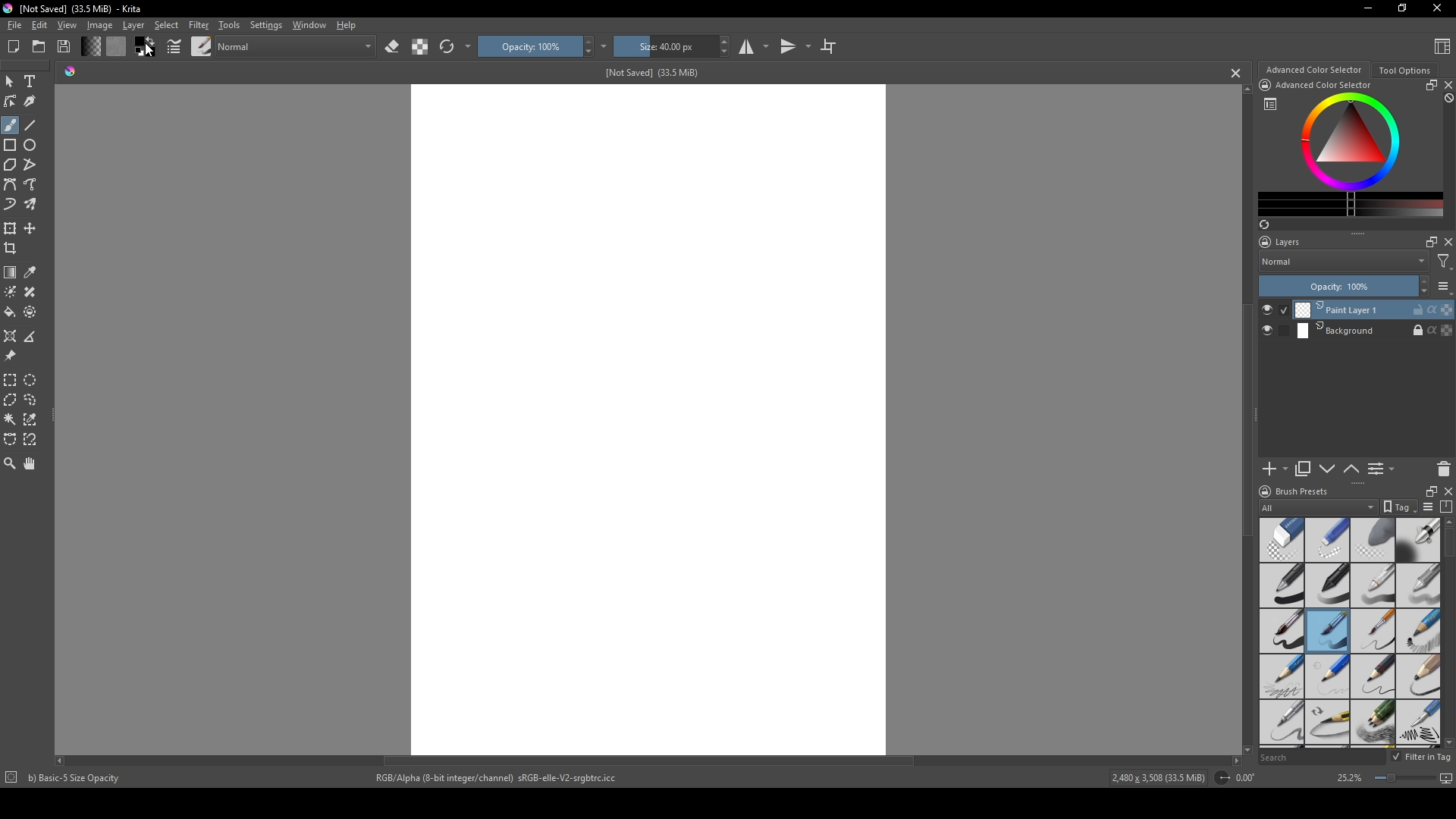 The height and width of the screenshot is (819, 1456). What do you see at coordinates (1281, 539) in the screenshot?
I see `standard eraser` at bounding box center [1281, 539].